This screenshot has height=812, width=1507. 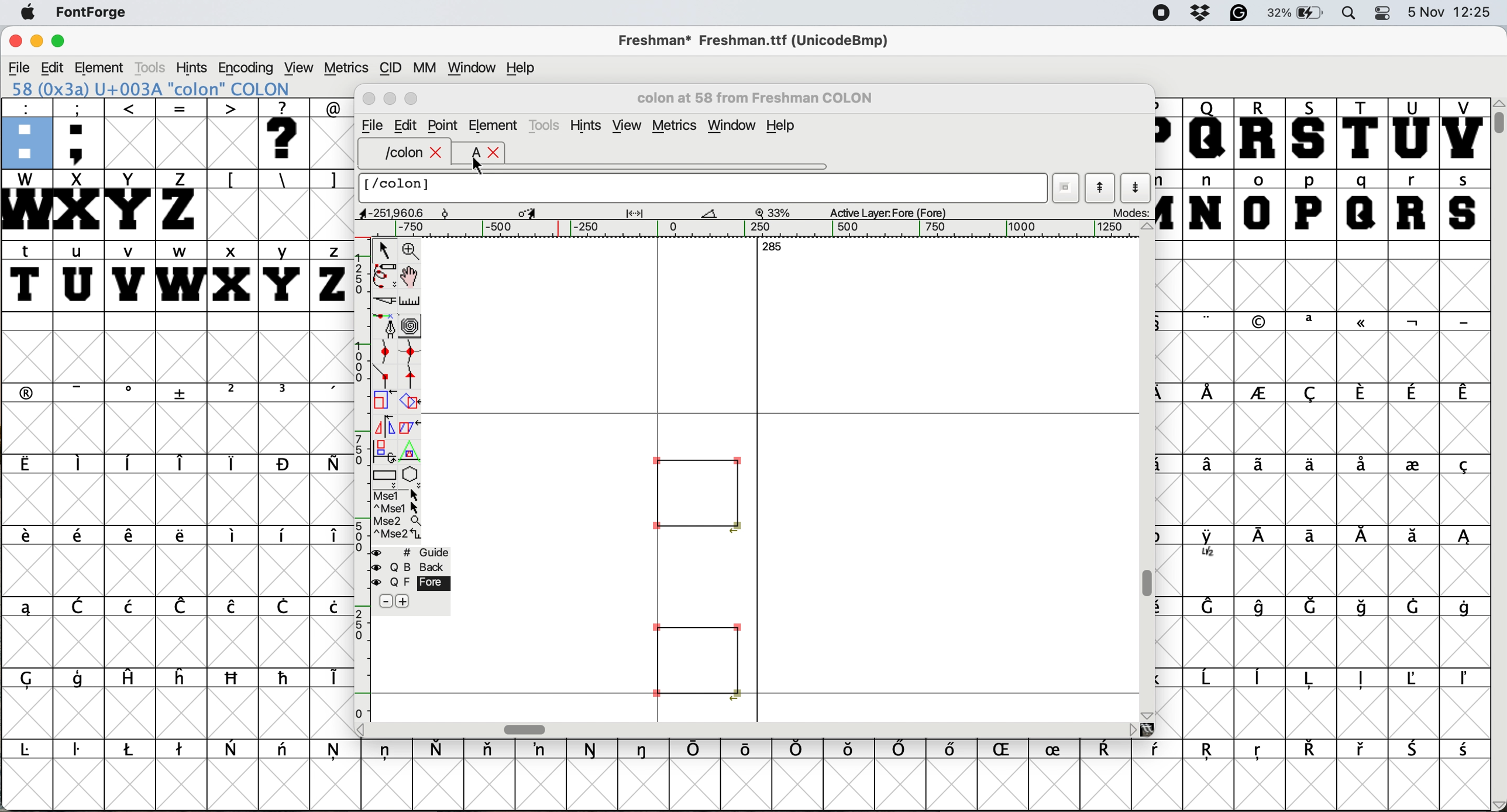 What do you see at coordinates (80, 133) in the screenshot?
I see `;` at bounding box center [80, 133].